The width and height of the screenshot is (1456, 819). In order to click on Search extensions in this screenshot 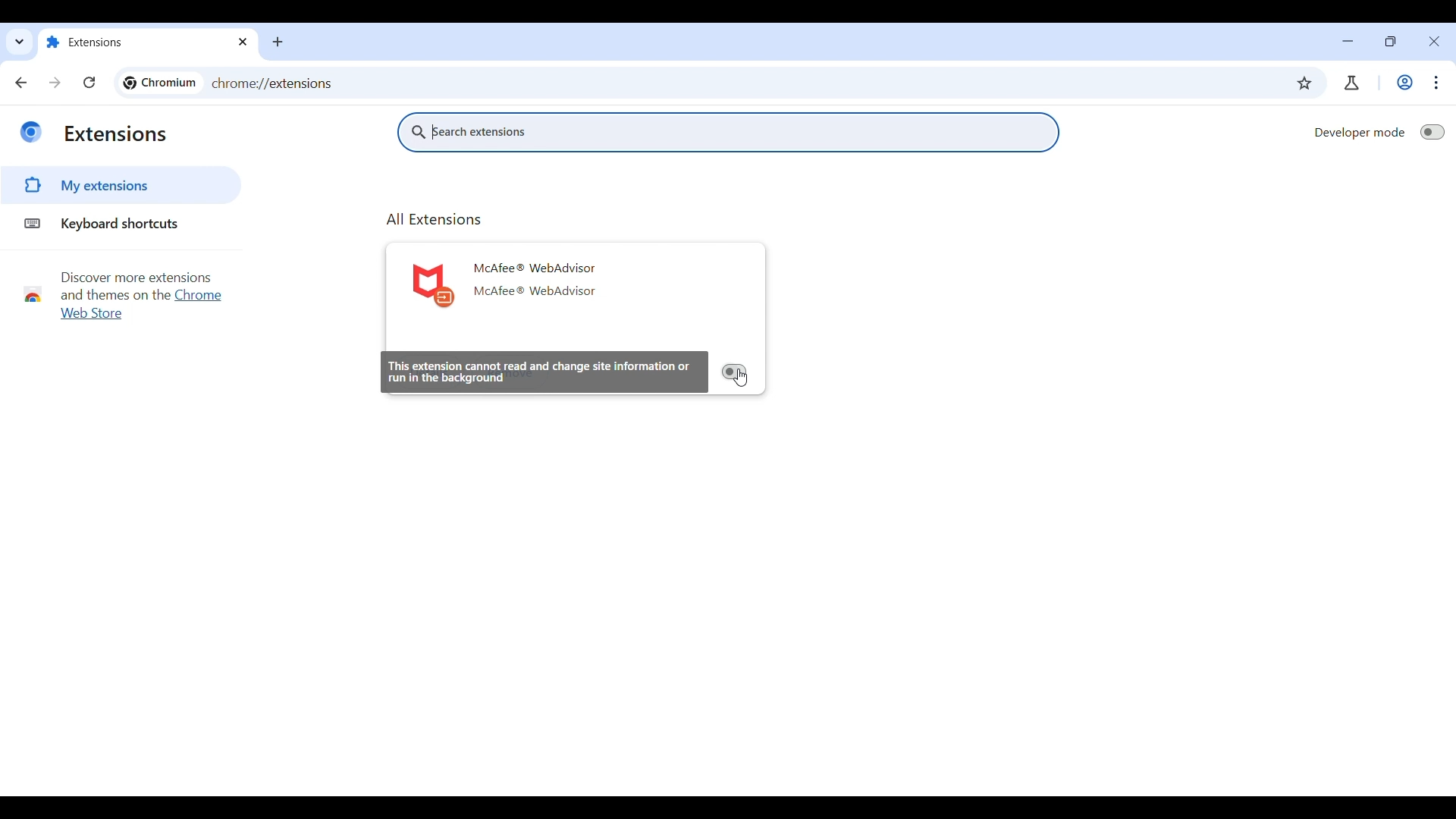, I will do `click(729, 132)`.